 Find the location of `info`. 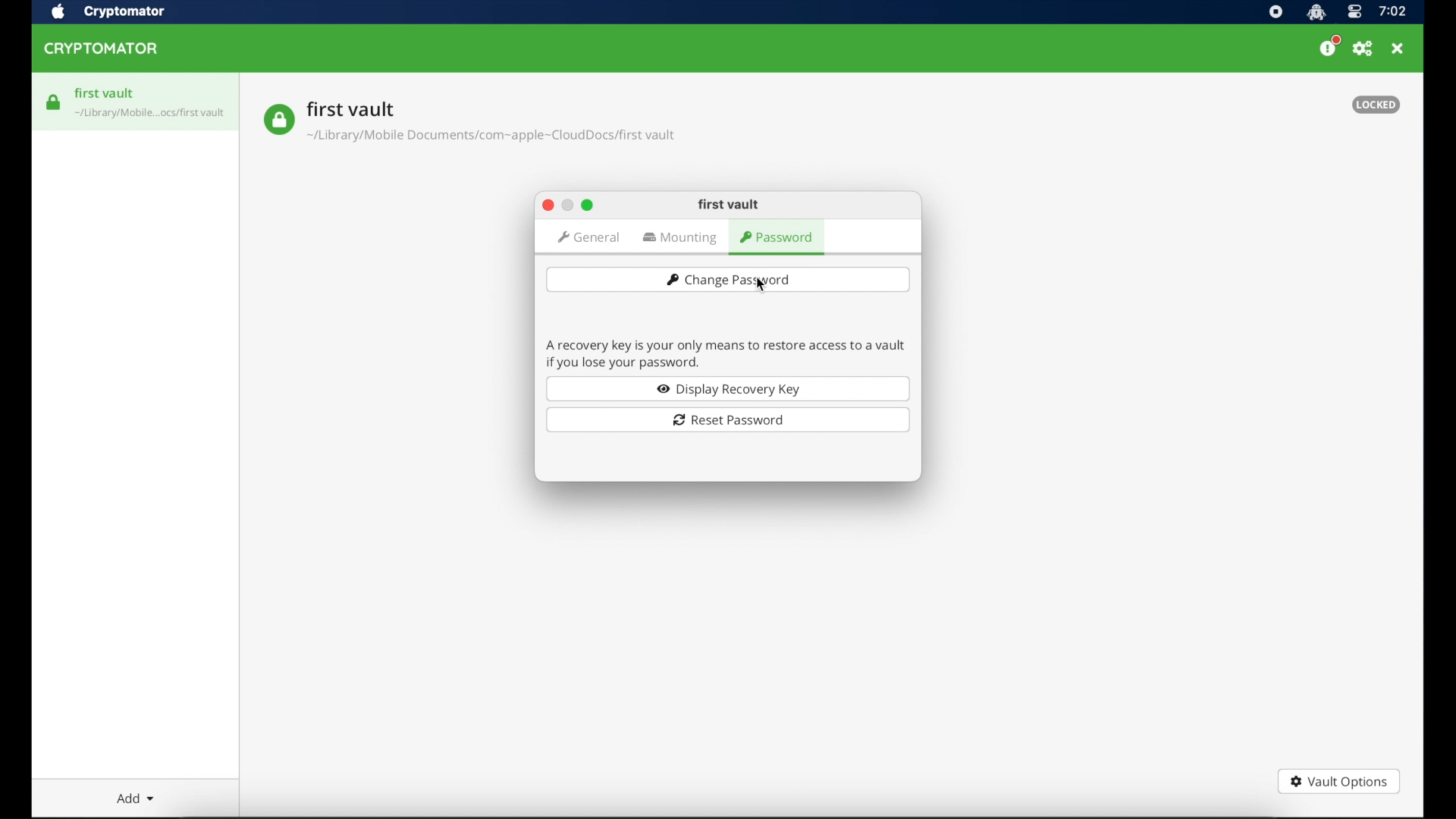

info is located at coordinates (726, 353).